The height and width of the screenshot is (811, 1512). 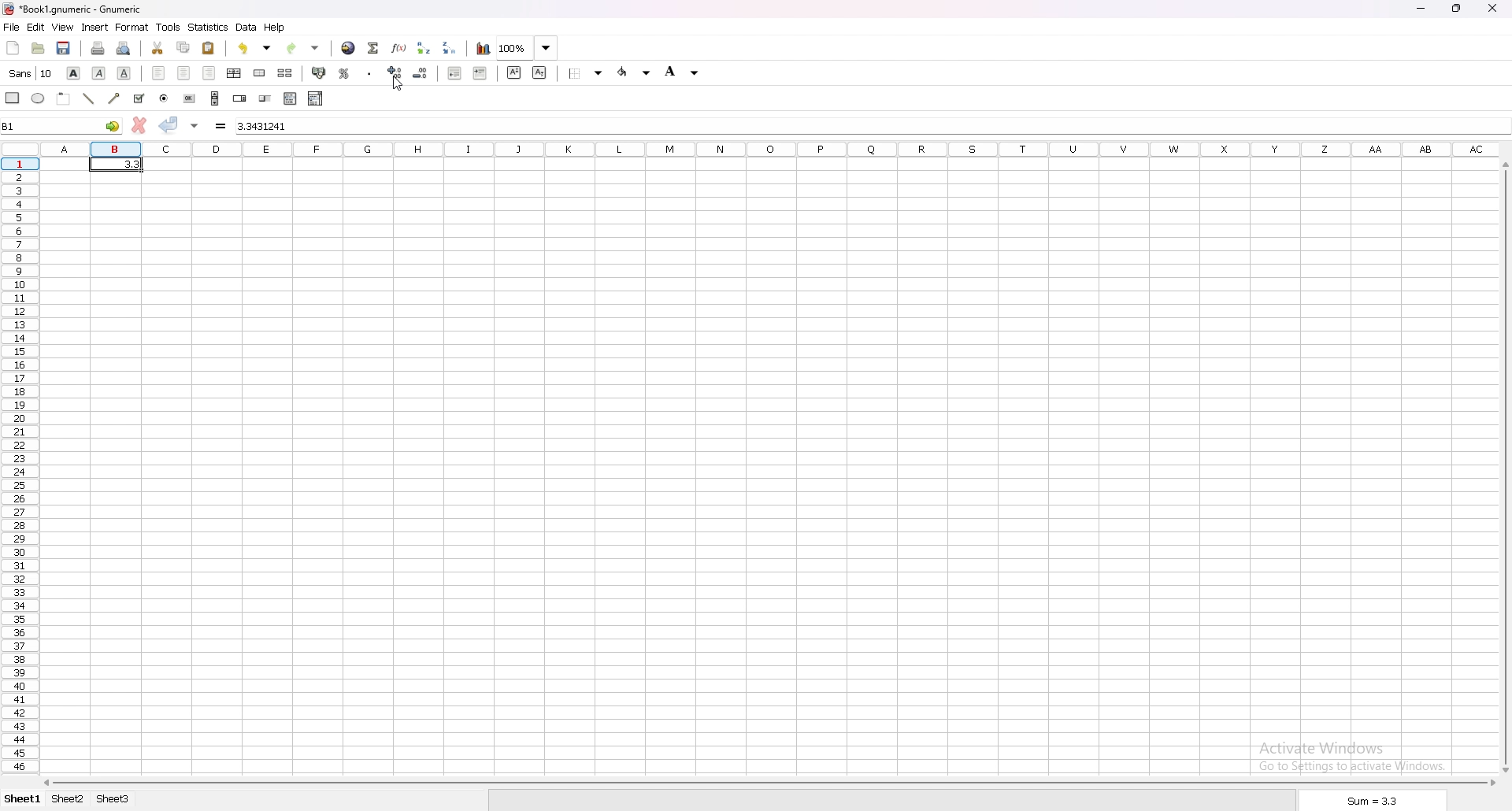 What do you see at coordinates (71, 9) in the screenshot?
I see `file name` at bounding box center [71, 9].